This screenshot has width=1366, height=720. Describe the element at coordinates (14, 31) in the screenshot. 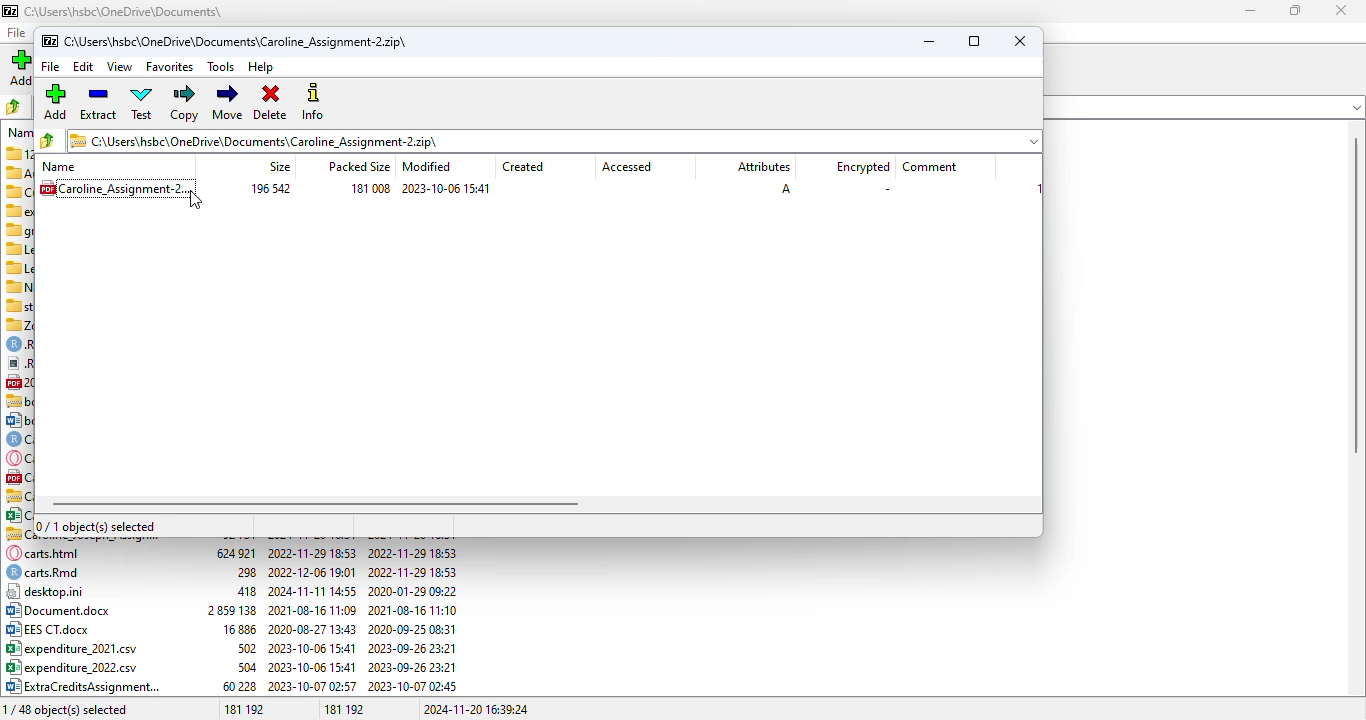

I see `file` at that location.